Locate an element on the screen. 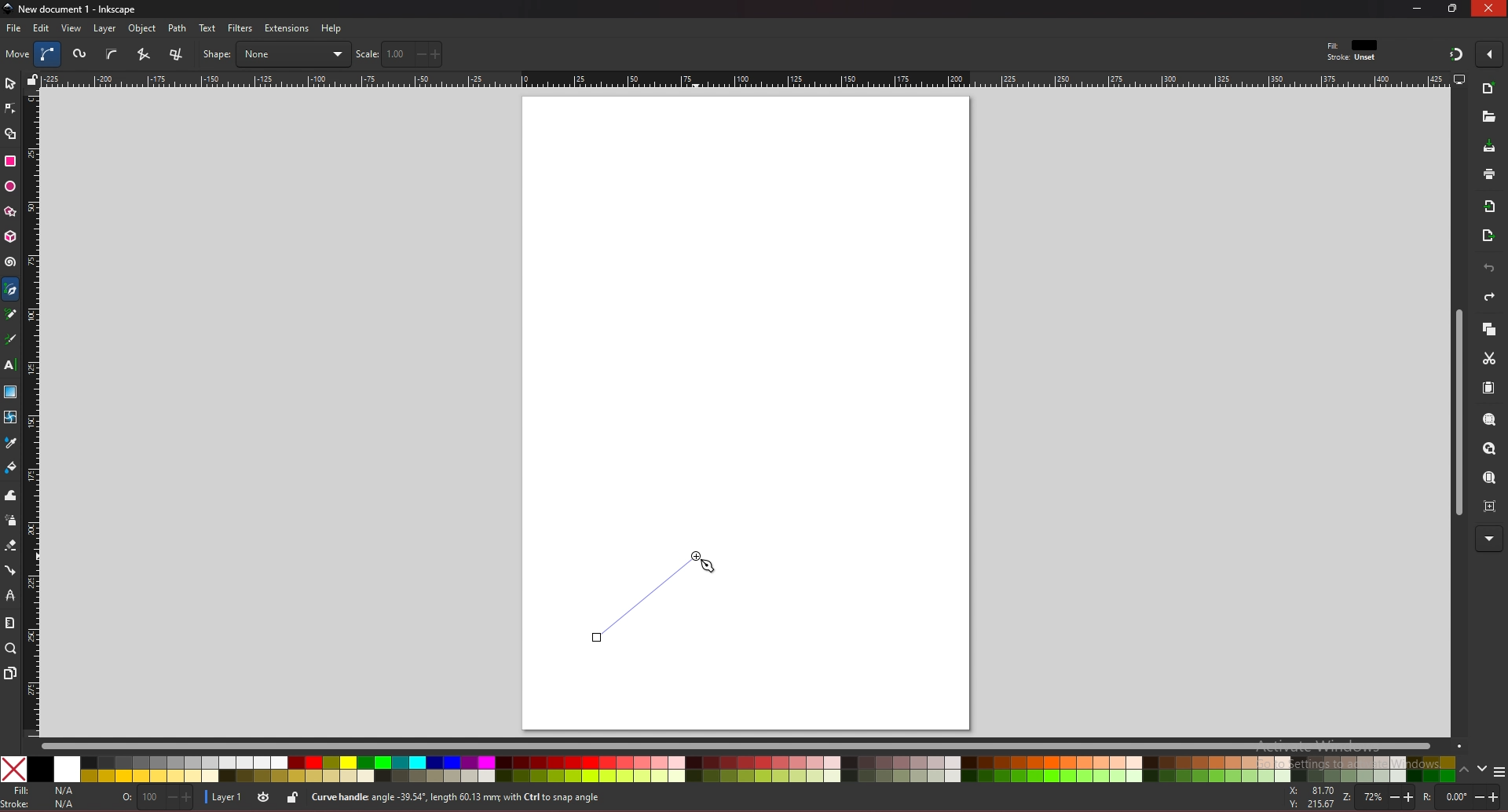  info is located at coordinates (588, 798).